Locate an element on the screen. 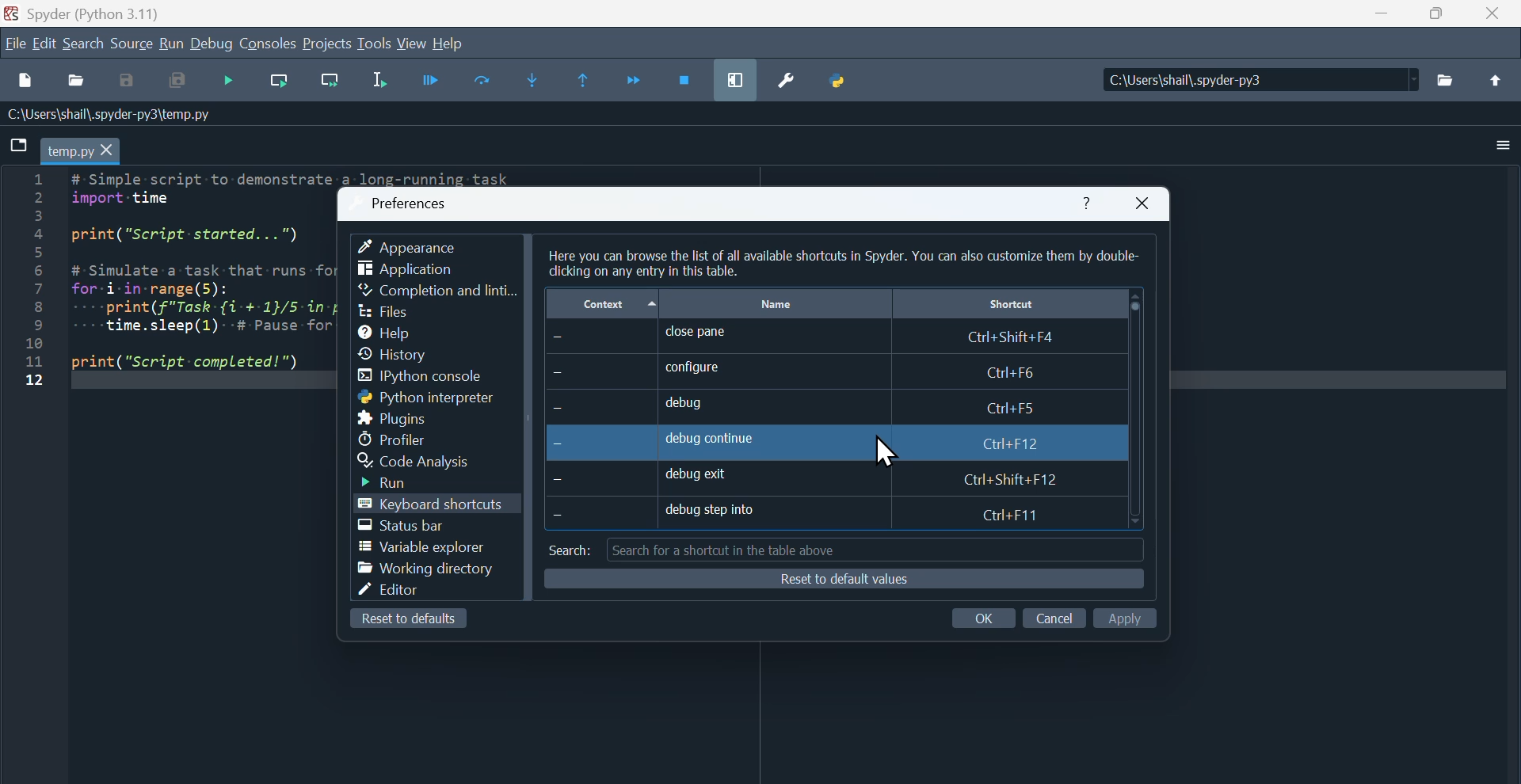 The width and height of the screenshot is (1521, 784). Step into function is located at coordinates (534, 78).